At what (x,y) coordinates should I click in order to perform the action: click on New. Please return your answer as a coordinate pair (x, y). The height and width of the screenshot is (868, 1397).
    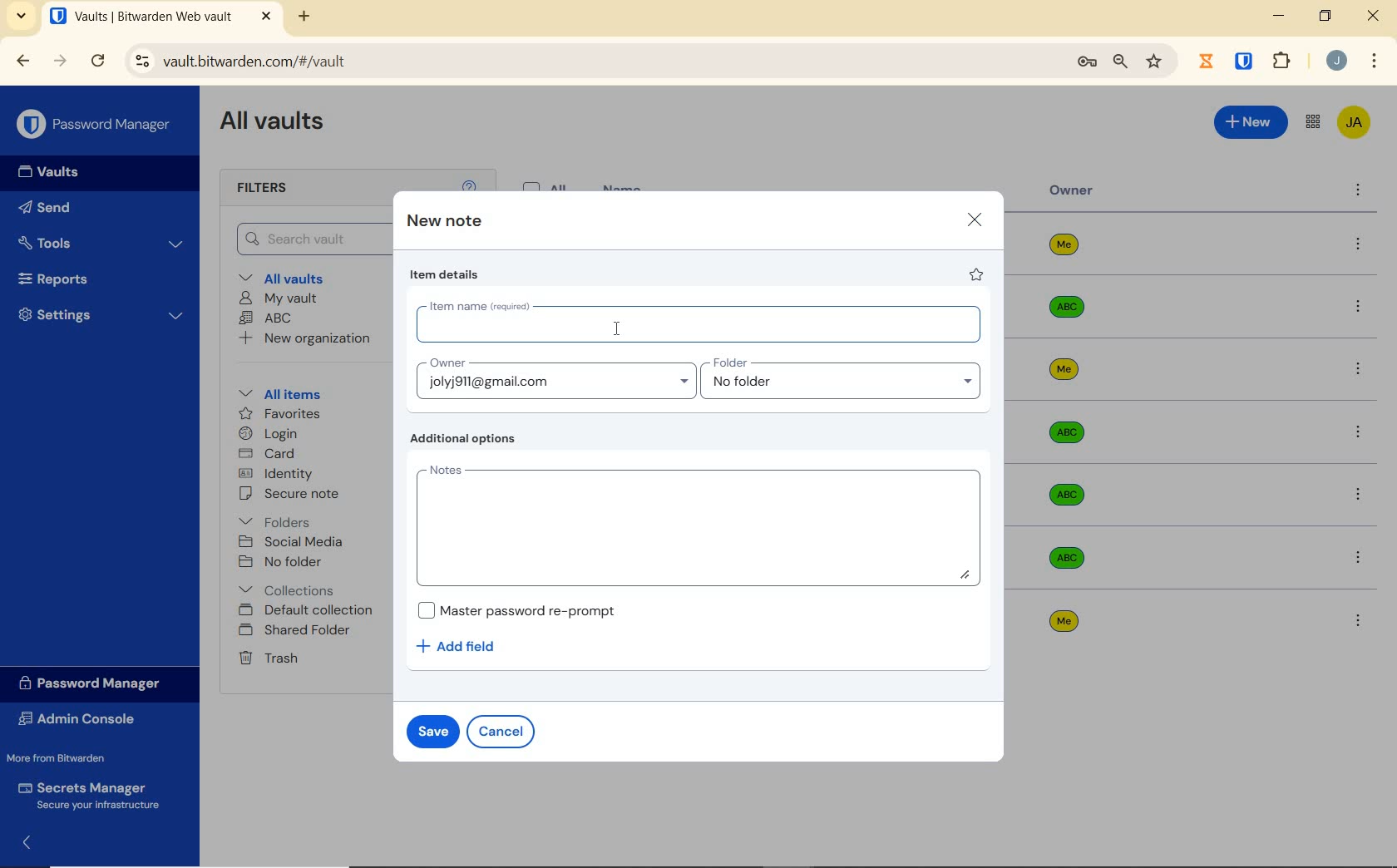
    Looking at the image, I should click on (1250, 122).